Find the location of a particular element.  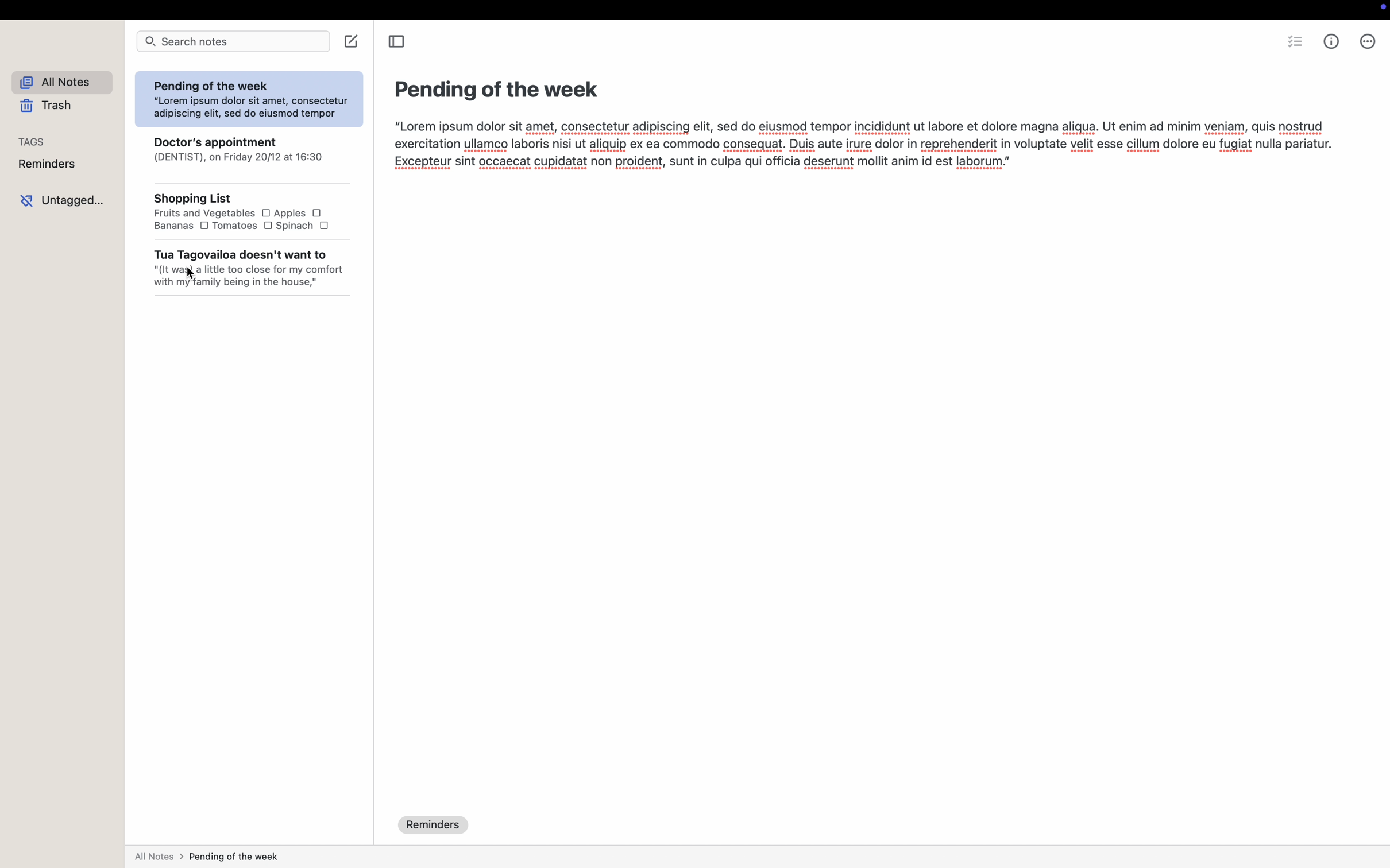

TUE 1ESHVIIAITVE UWVeail & Trail WV
"(It wai a little too close for my comfor
with my family being in the house," is located at coordinates (248, 269).